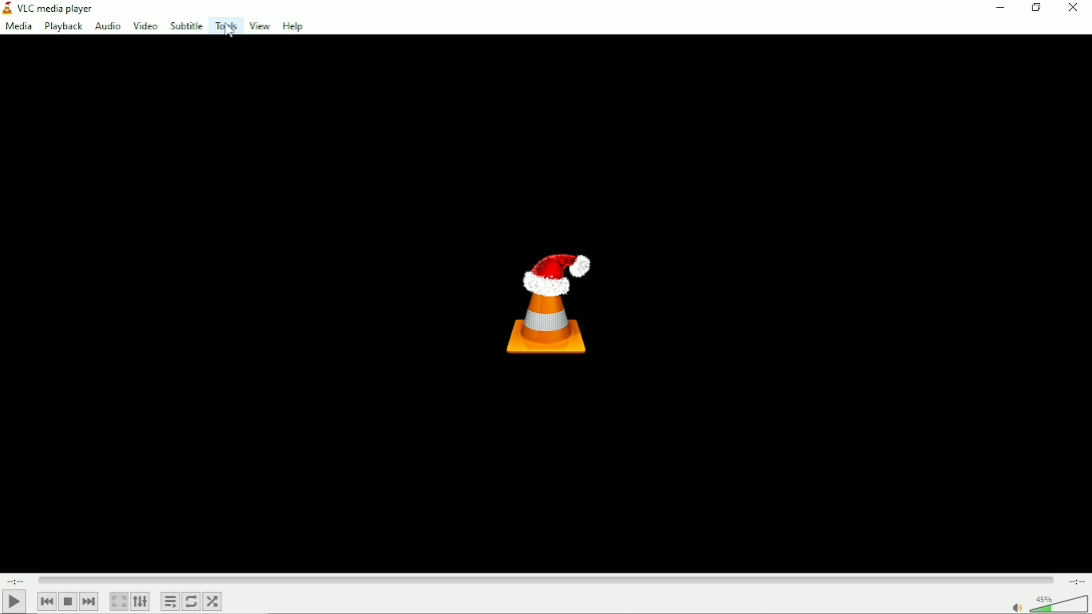 The image size is (1092, 614). What do you see at coordinates (1074, 8) in the screenshot?
I see `Close` at bounding box center [1074, 8].